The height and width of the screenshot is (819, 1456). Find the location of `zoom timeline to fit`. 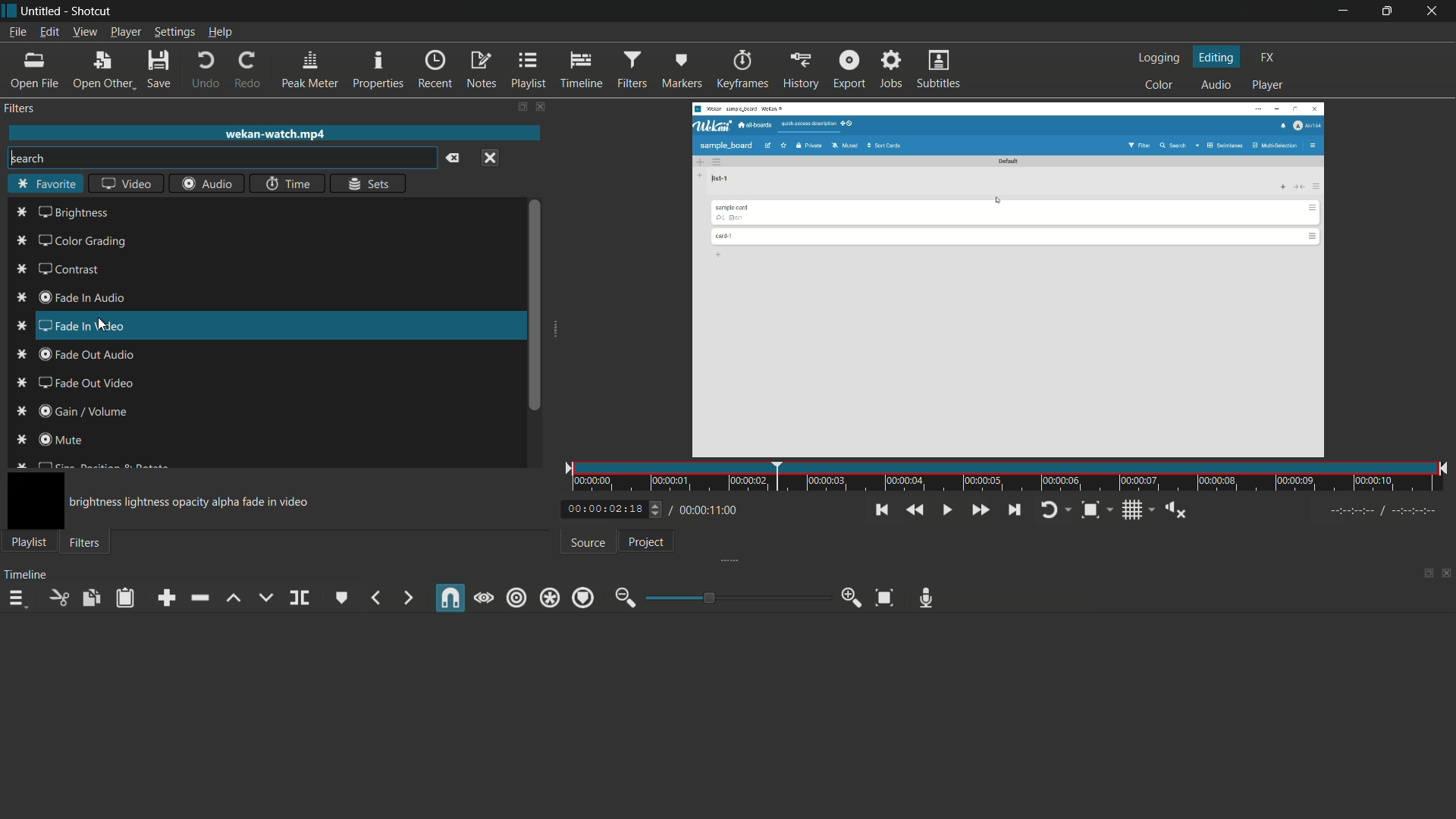

zoom timeline to fit is located at coordinates (885, 597).